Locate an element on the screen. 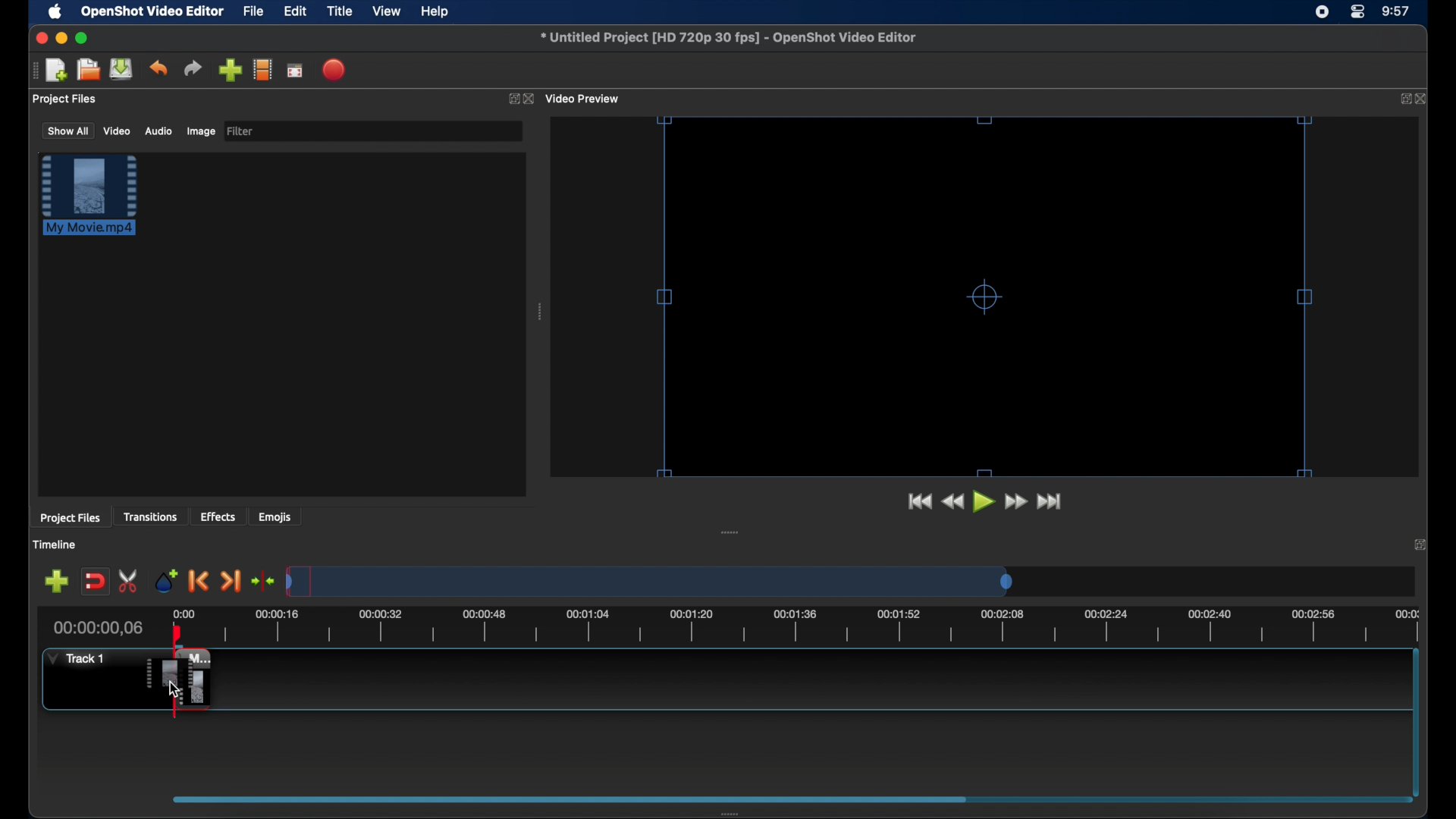 This screenshot has height=819, width=1456. add track is located at coordinates (56, 582).